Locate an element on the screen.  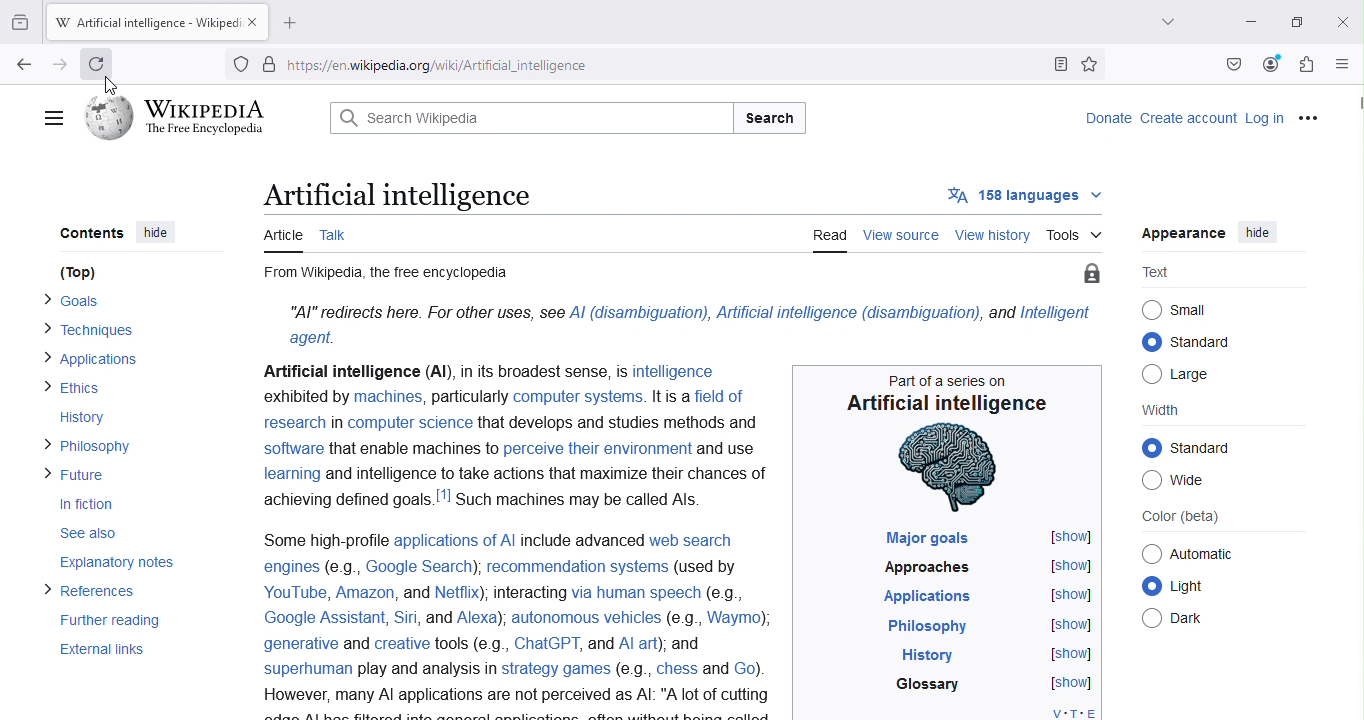
History is located at coordinates (924, 657).